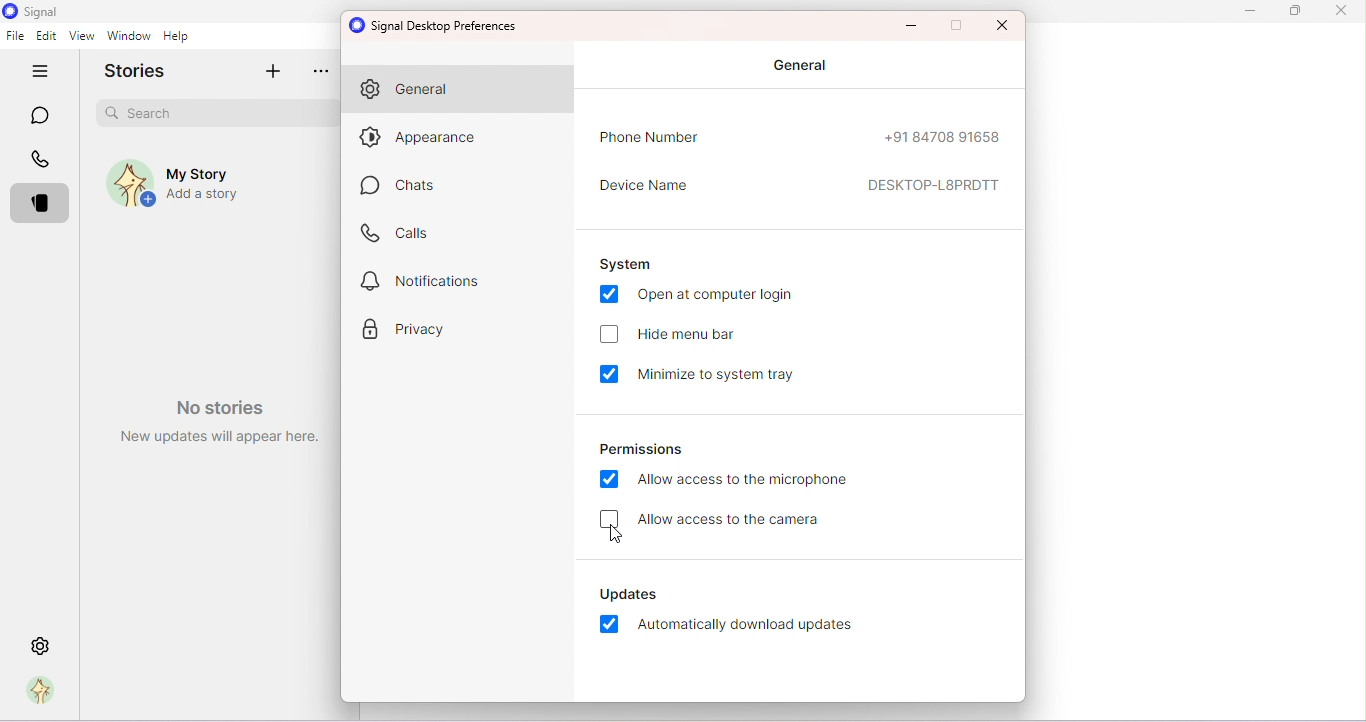 The height and width of the screenshot is (722, 1366). I want to click on Add story, so click(277, 72).